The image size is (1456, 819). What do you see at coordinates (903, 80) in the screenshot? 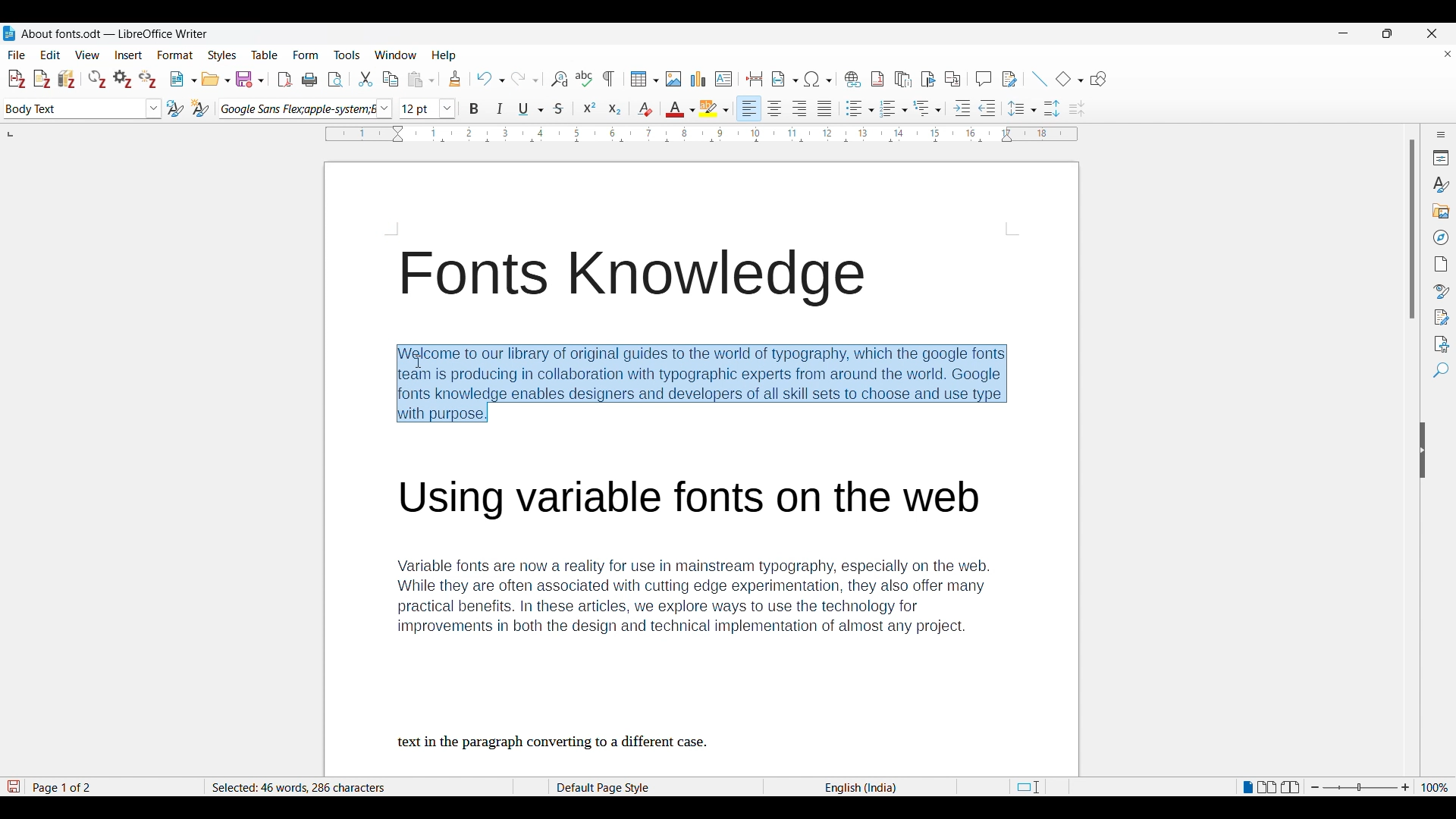
I see `Insert endnote` at bounding box center [903, 80].